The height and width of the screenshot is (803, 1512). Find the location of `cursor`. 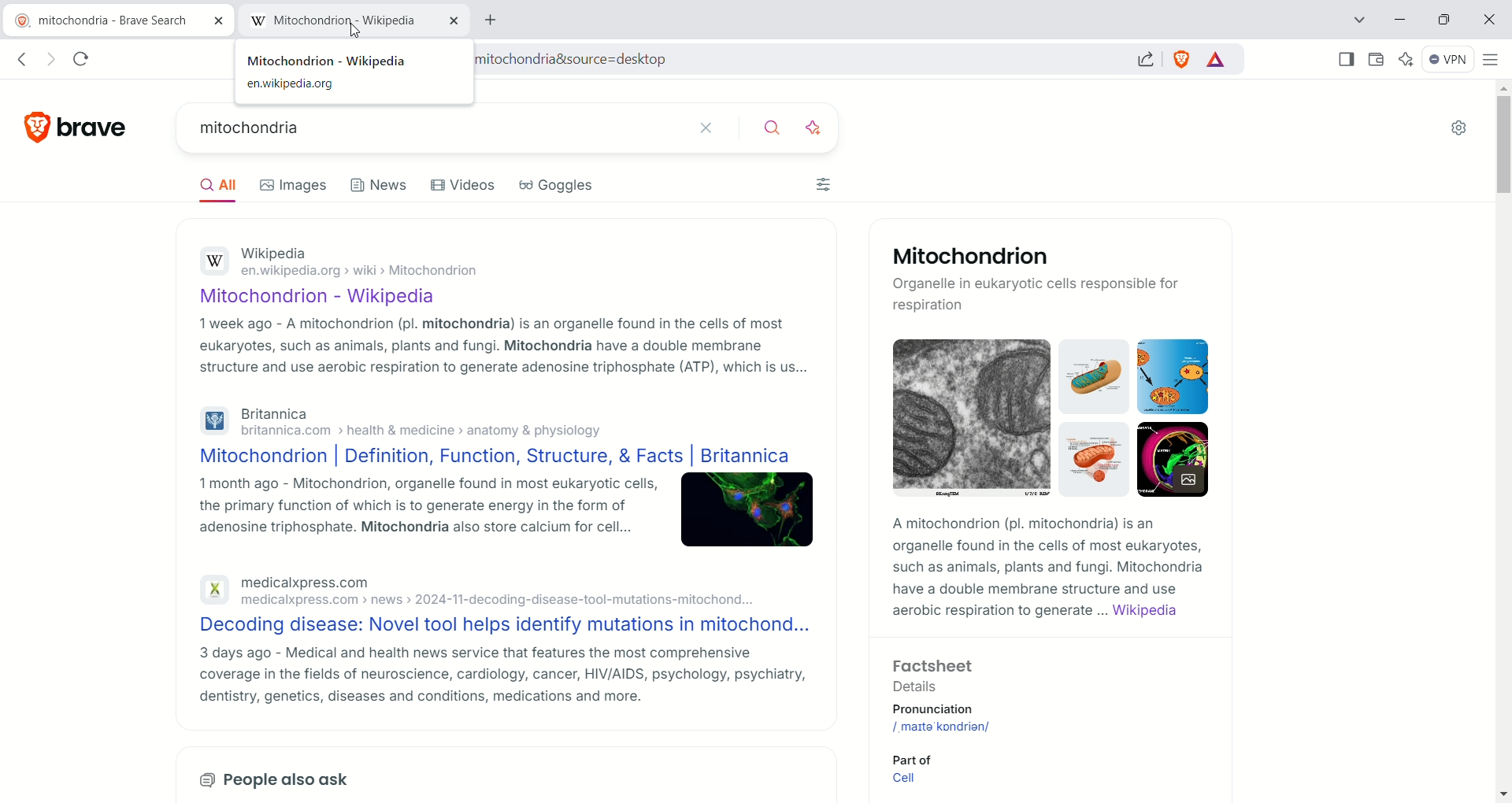

cursor is located at coordinates (356, 31).